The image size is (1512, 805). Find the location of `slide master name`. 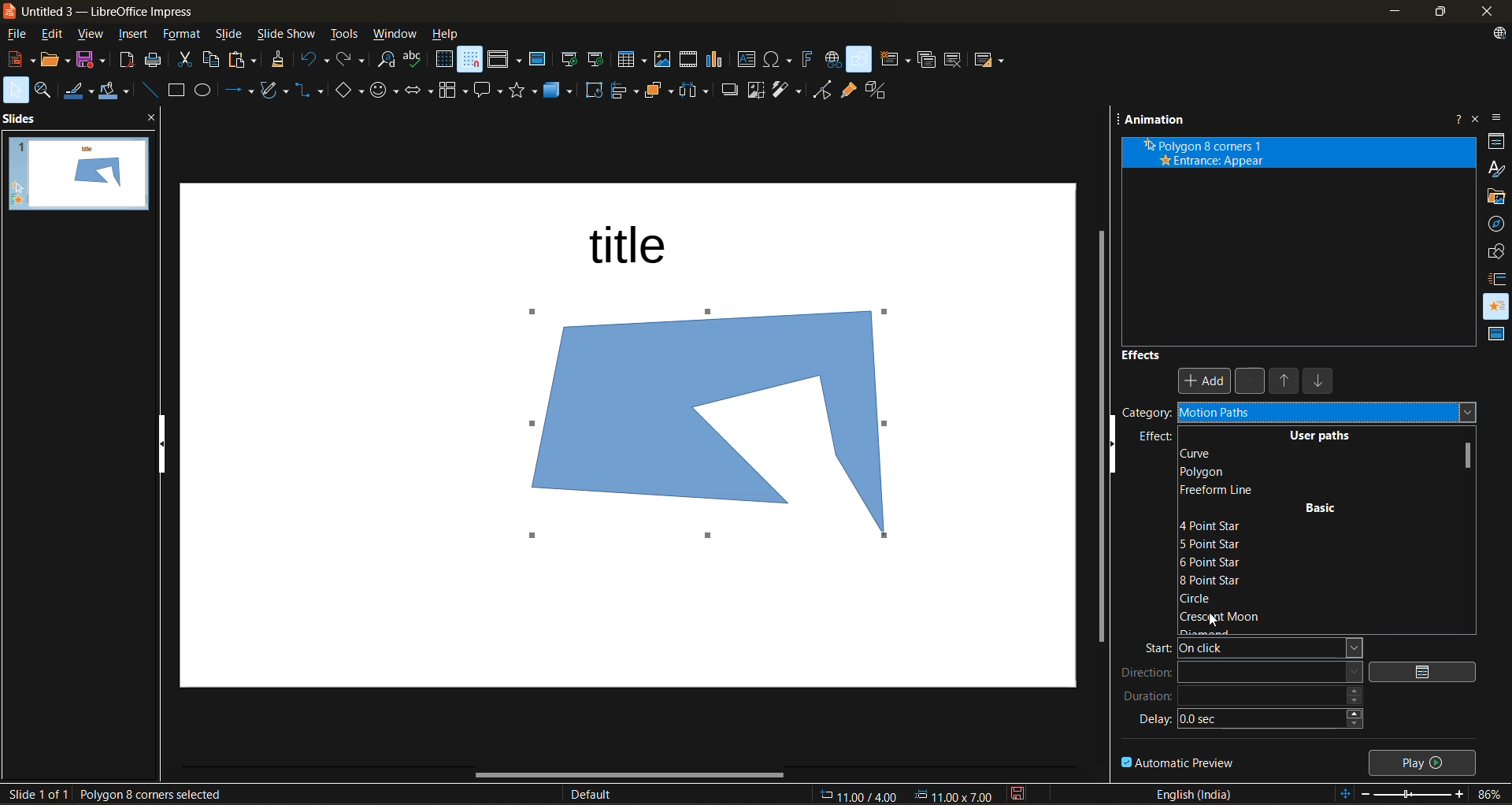

slide master name is located at coordinates (598, 796).